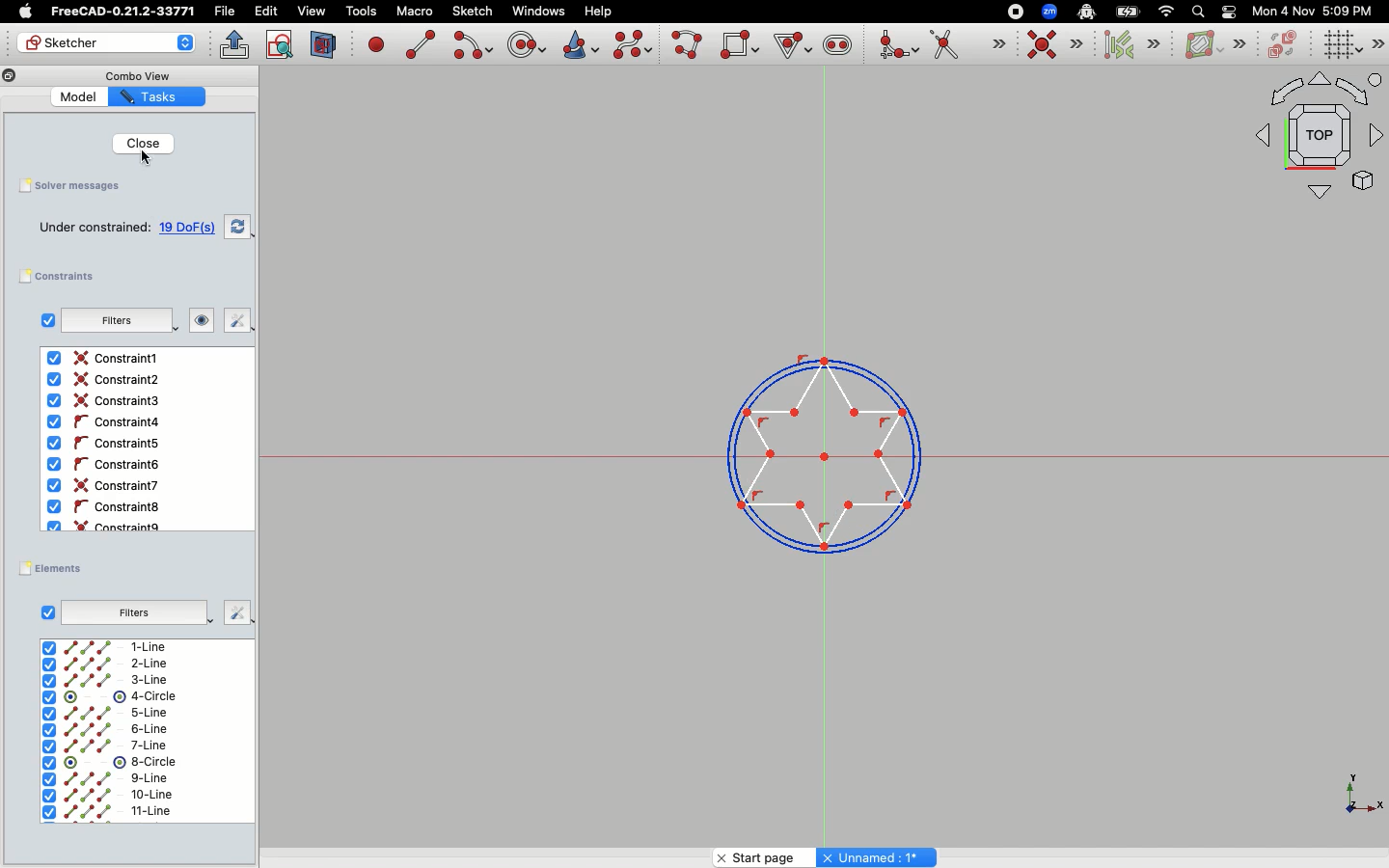 The width and height of the screenshot is (1389, 868). Describe the element at coordinates (108, 485) in the screenshot. I see `Constraint6` at that location.